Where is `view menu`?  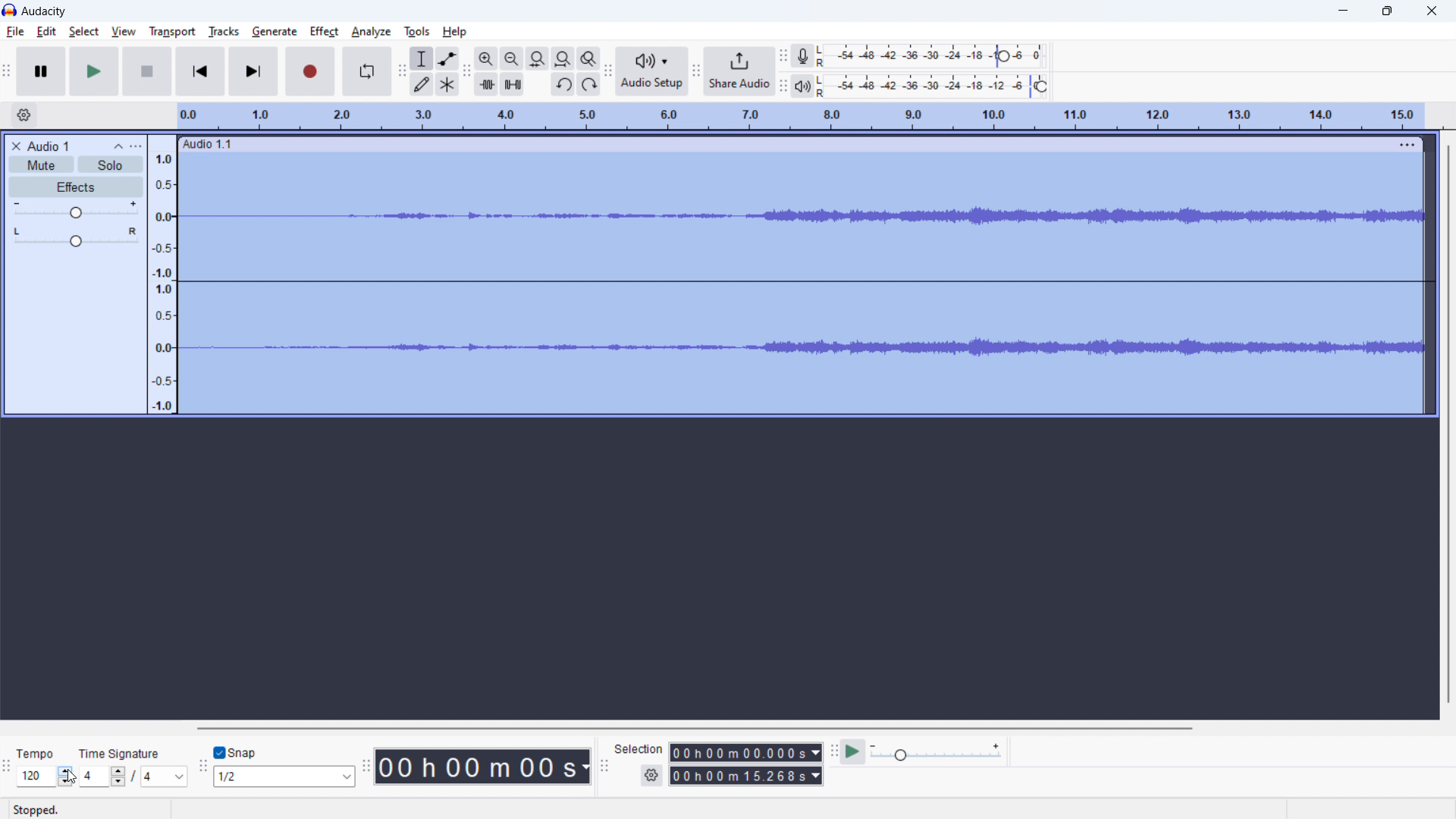 view menu is located at coordinates (136, 146).